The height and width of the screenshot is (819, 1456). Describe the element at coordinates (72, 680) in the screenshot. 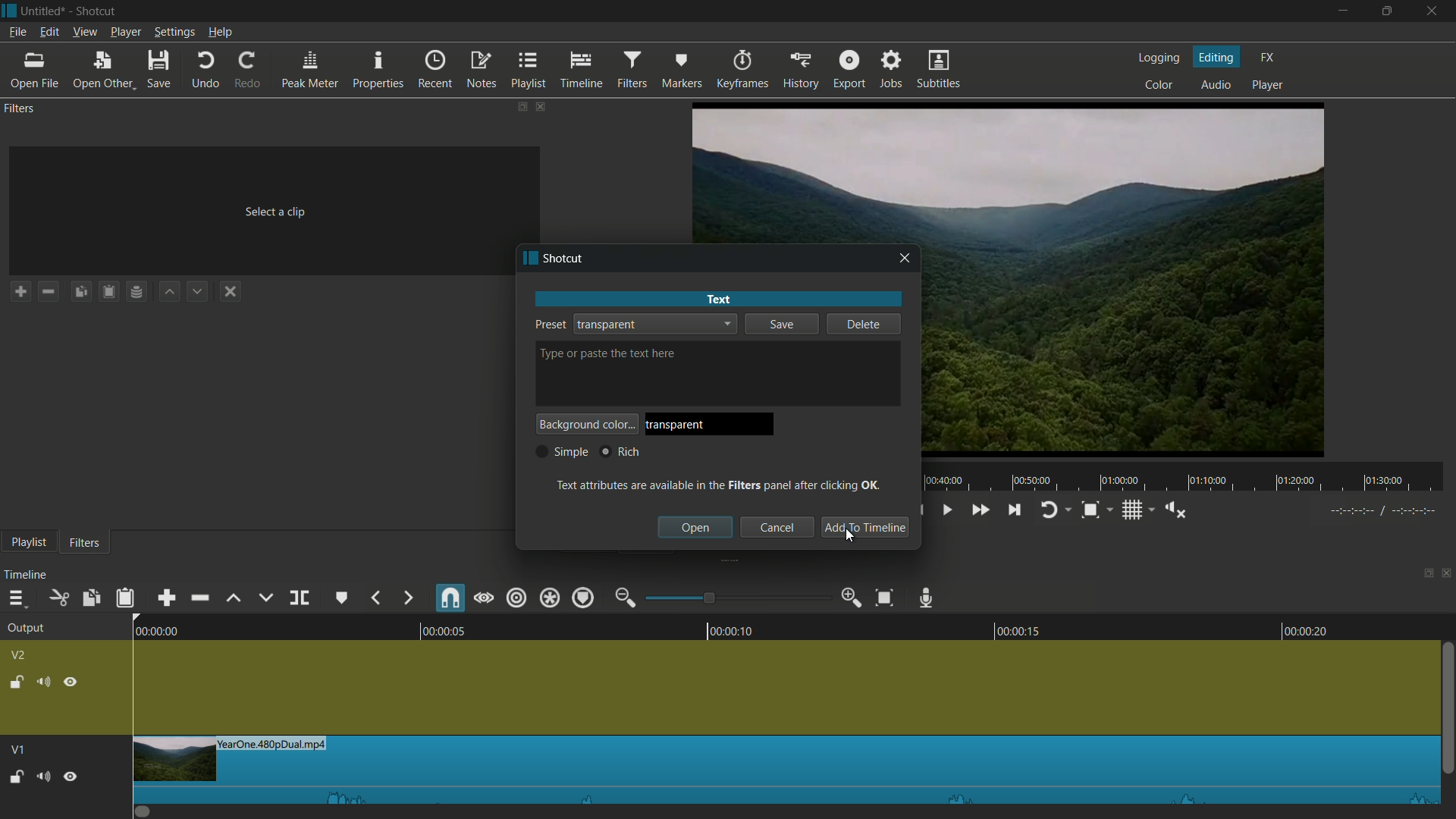

I see `hide` at that location.